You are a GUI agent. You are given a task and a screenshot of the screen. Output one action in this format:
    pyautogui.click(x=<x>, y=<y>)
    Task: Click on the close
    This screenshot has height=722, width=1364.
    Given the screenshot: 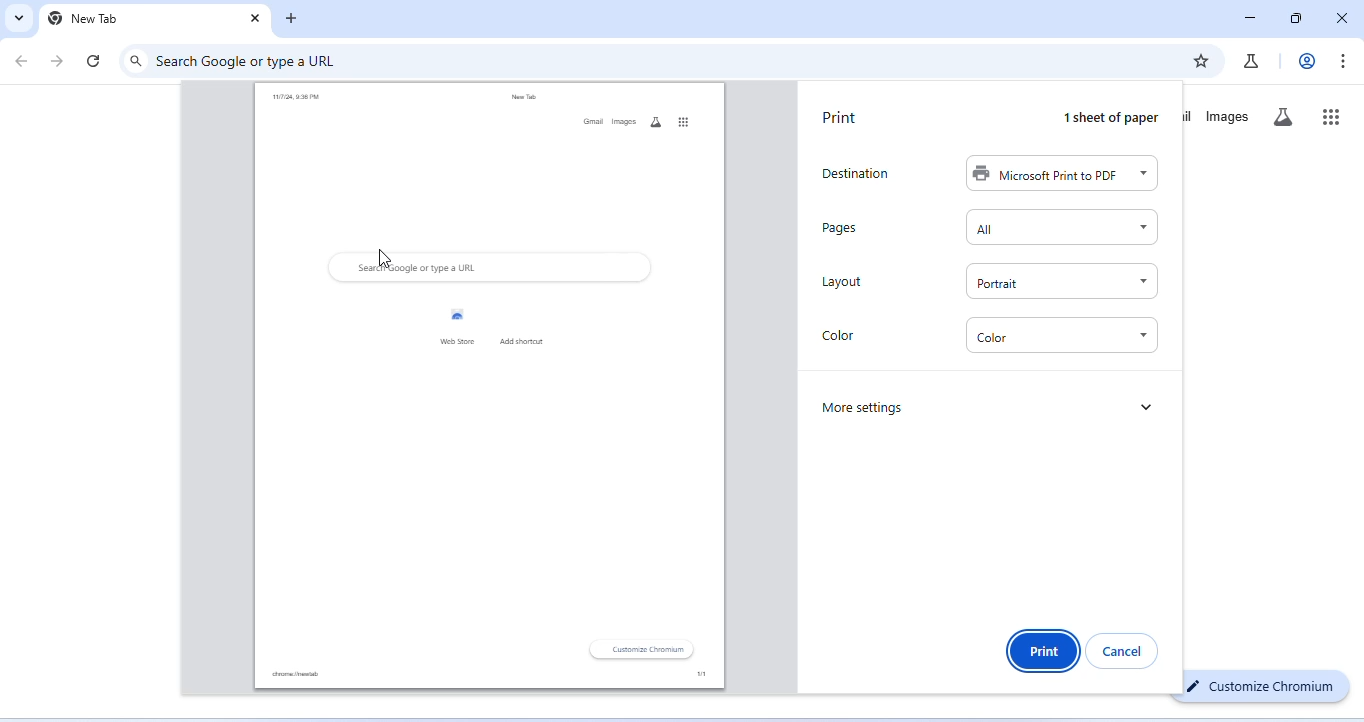 What is the action you would take?
    pyautogui.click(x=1341, y=16)
    